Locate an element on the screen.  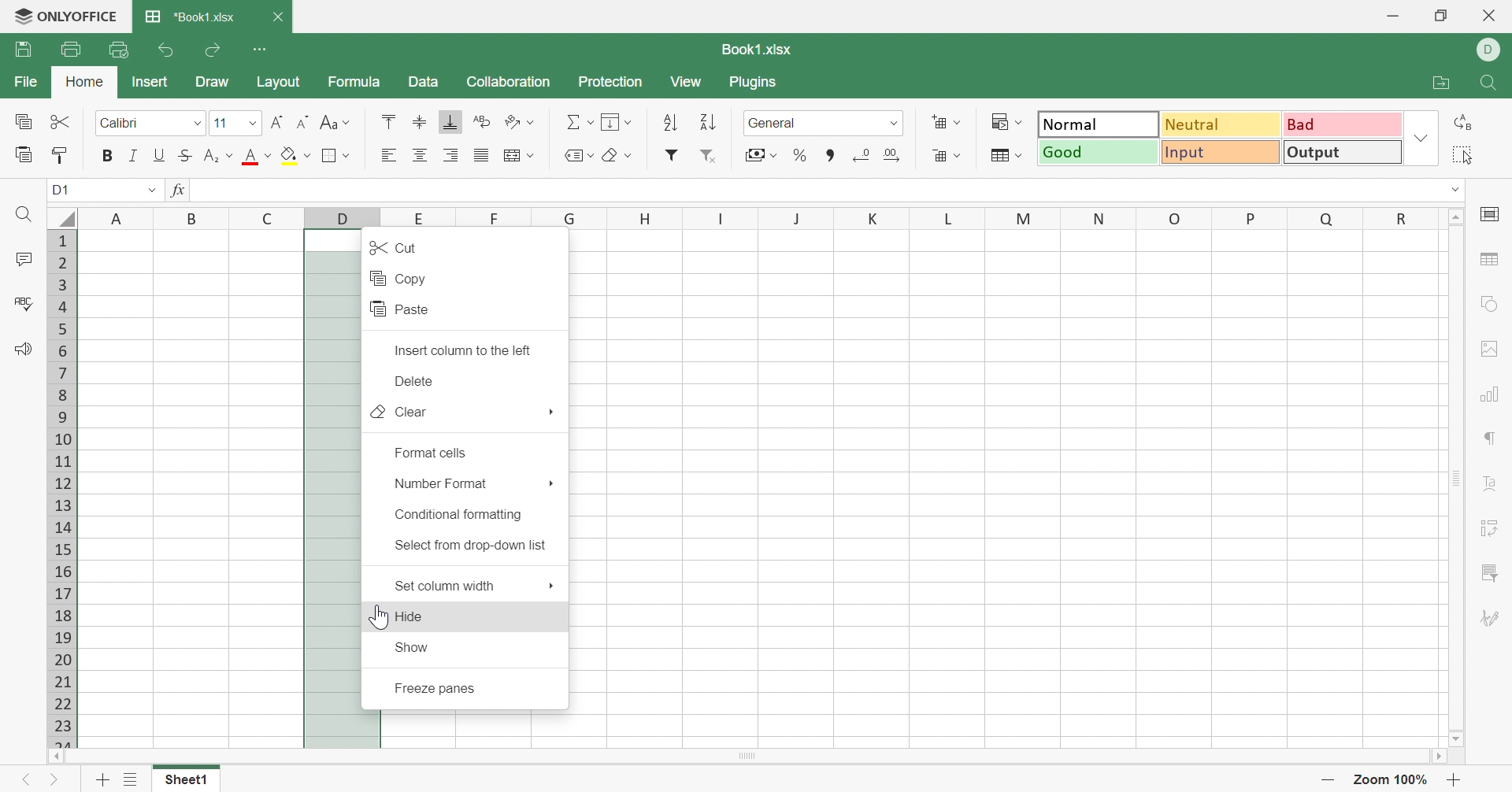
Insert filter is located at coordinates (672, 154).